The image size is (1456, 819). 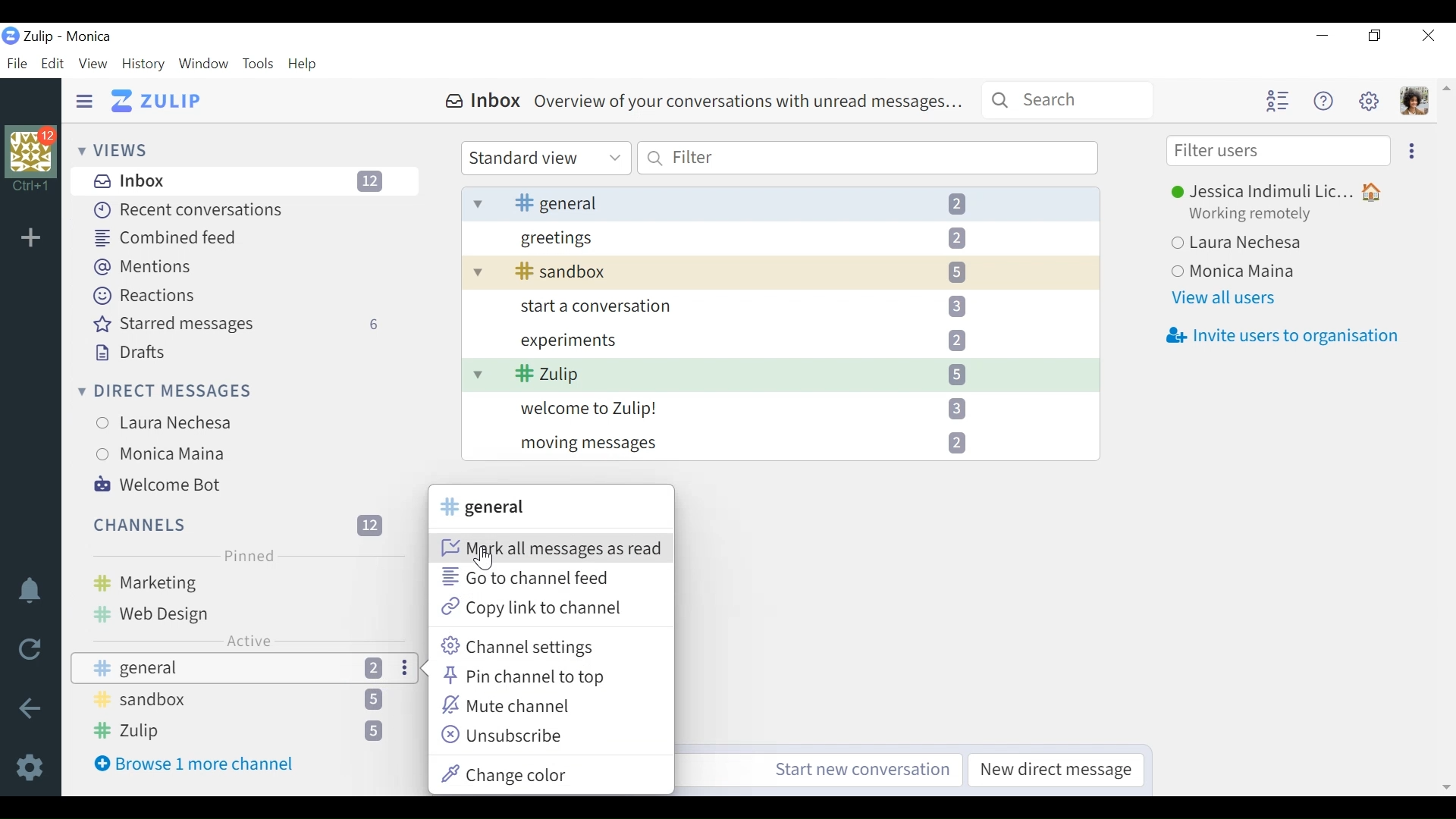 What do you see at coordinates (1068, 99) in the screenshot?
I see `Search` at bounding box center [1068, 99].